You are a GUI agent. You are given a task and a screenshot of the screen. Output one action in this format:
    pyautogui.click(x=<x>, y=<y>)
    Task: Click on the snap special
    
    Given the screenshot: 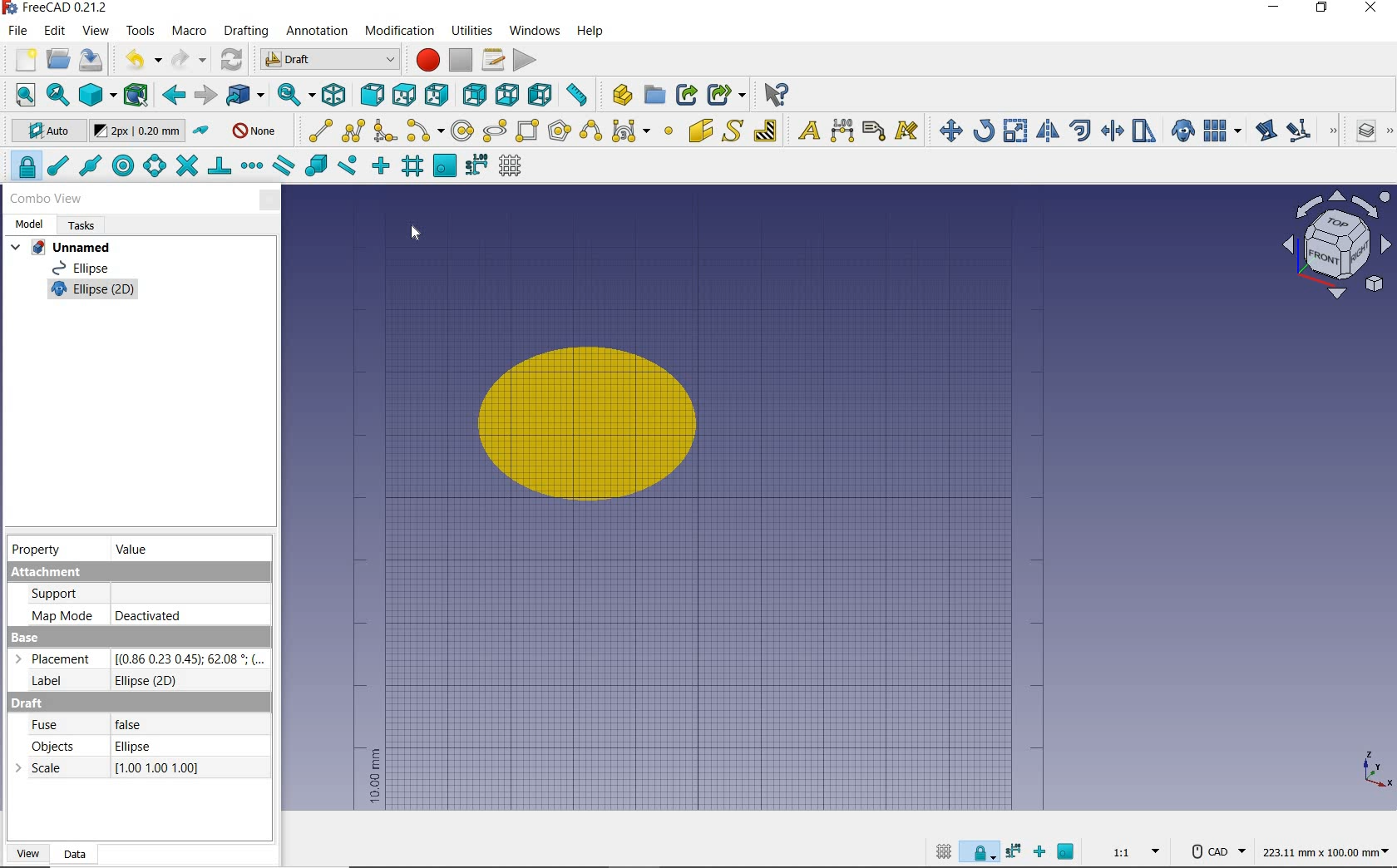 What is the action you would take?
    pyautogui.click(x=315, y=167)
    